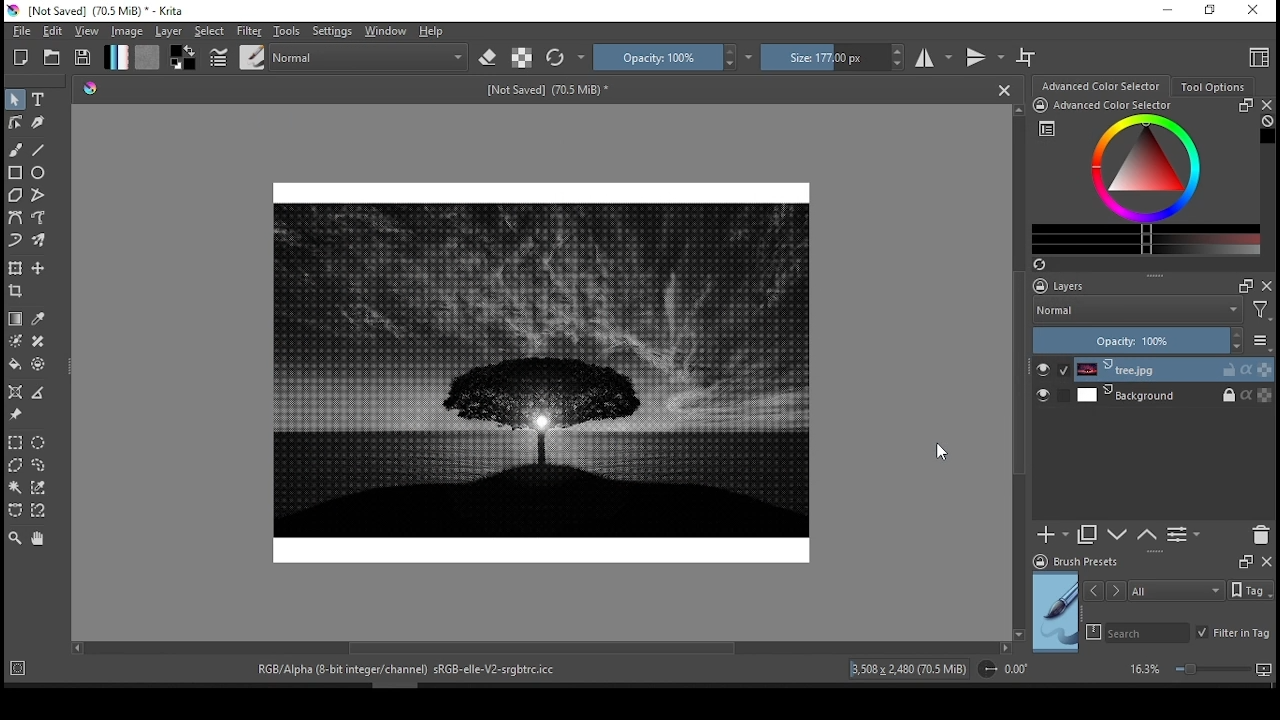  What do you see at coordinates (490, 57) in the screenshot?
I see `set eraser mode` at bounding box center [490, 57].